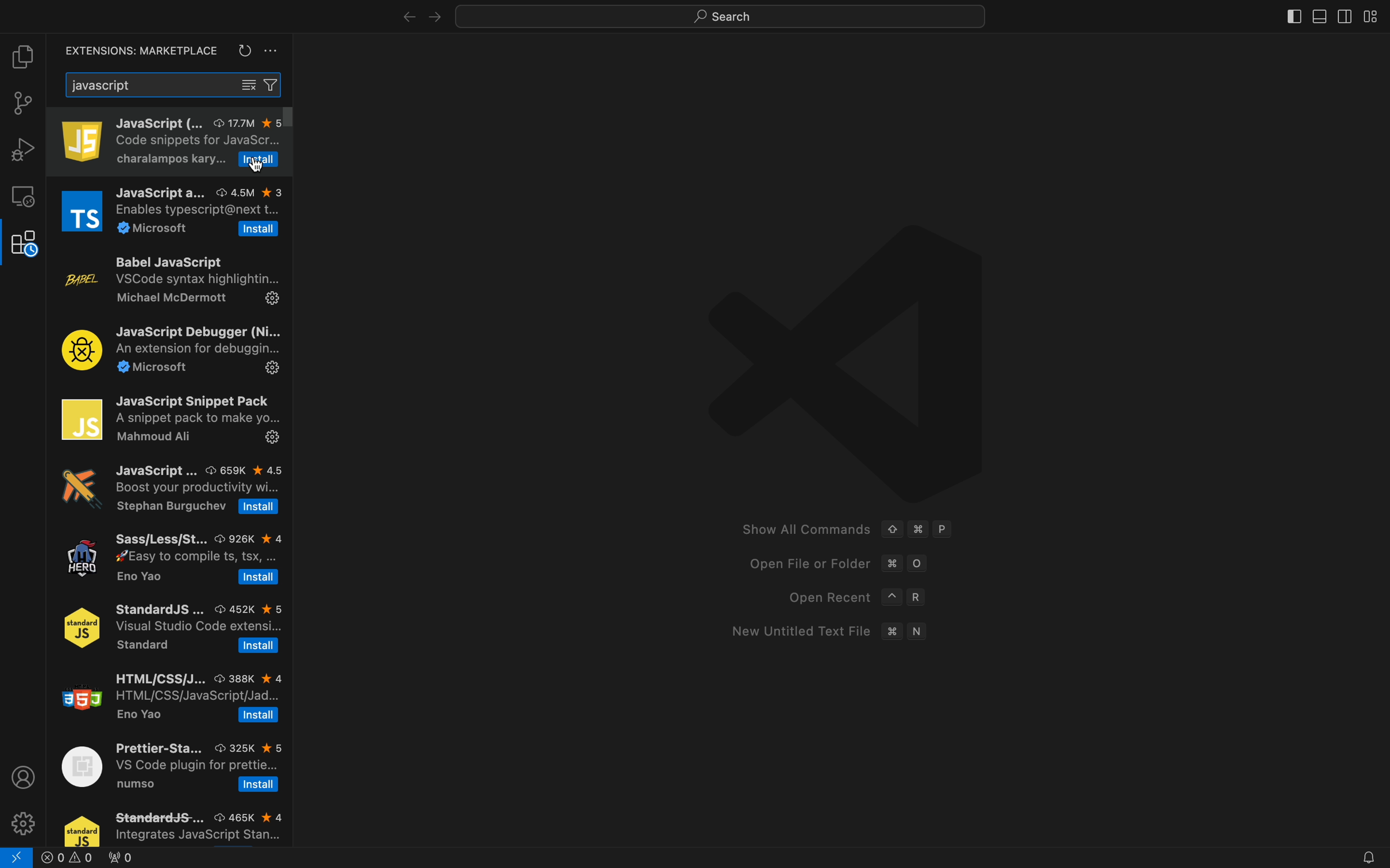  I want to click on StandarddS-... © 465K kx 4
Integrates JavaScript Stan..., so click(172, 823).